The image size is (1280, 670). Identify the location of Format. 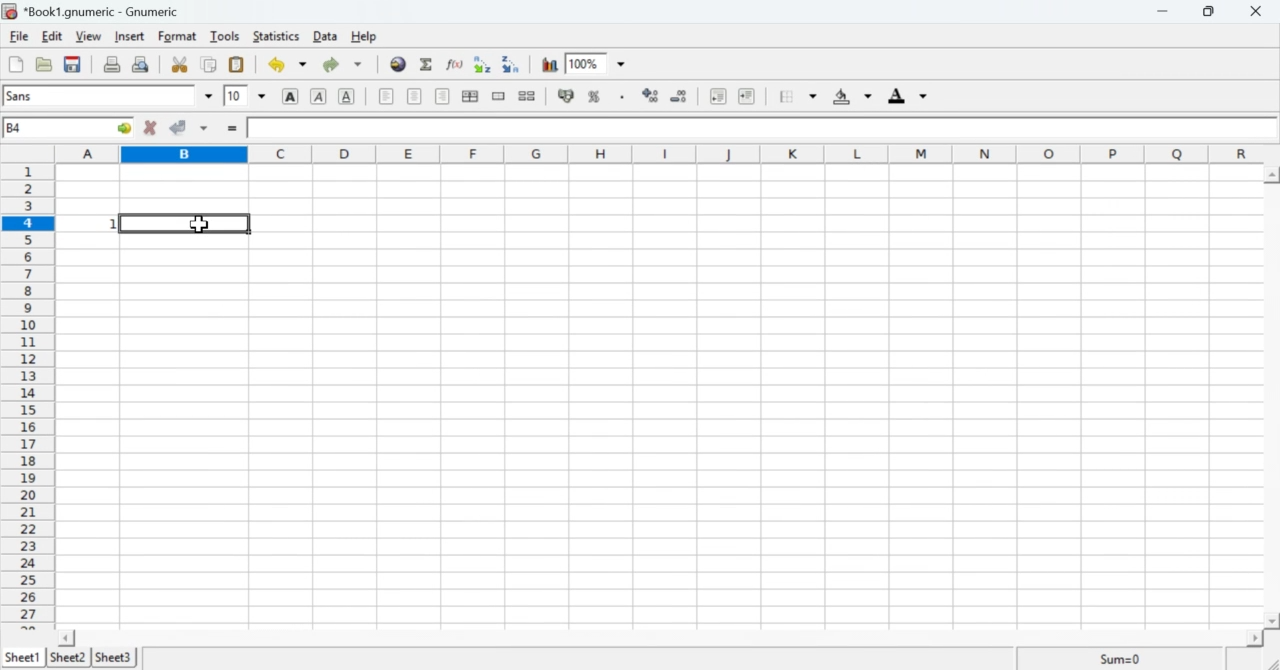
(178, 37).